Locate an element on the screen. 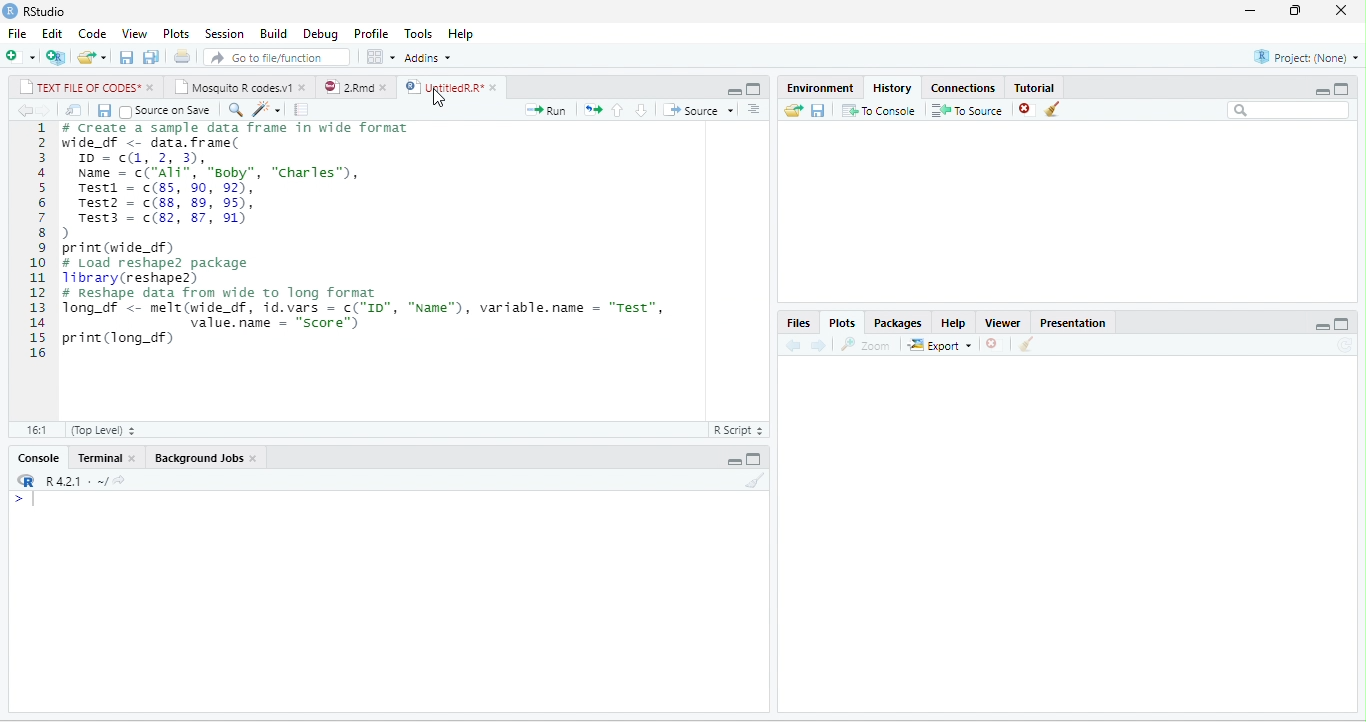 The height and width of the screenshot is (722, 1366). clear is located at coordinates (756, 480).